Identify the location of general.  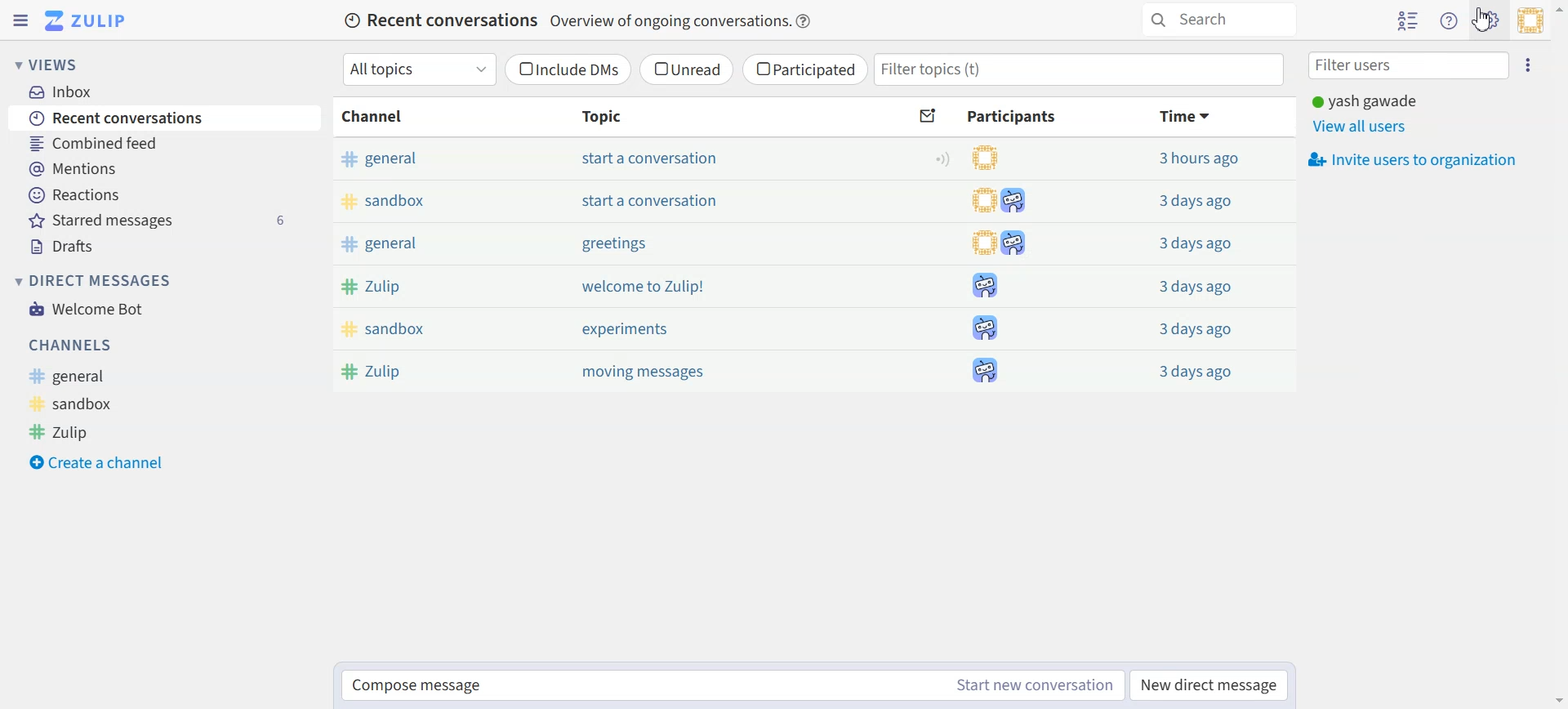
(380, 246).